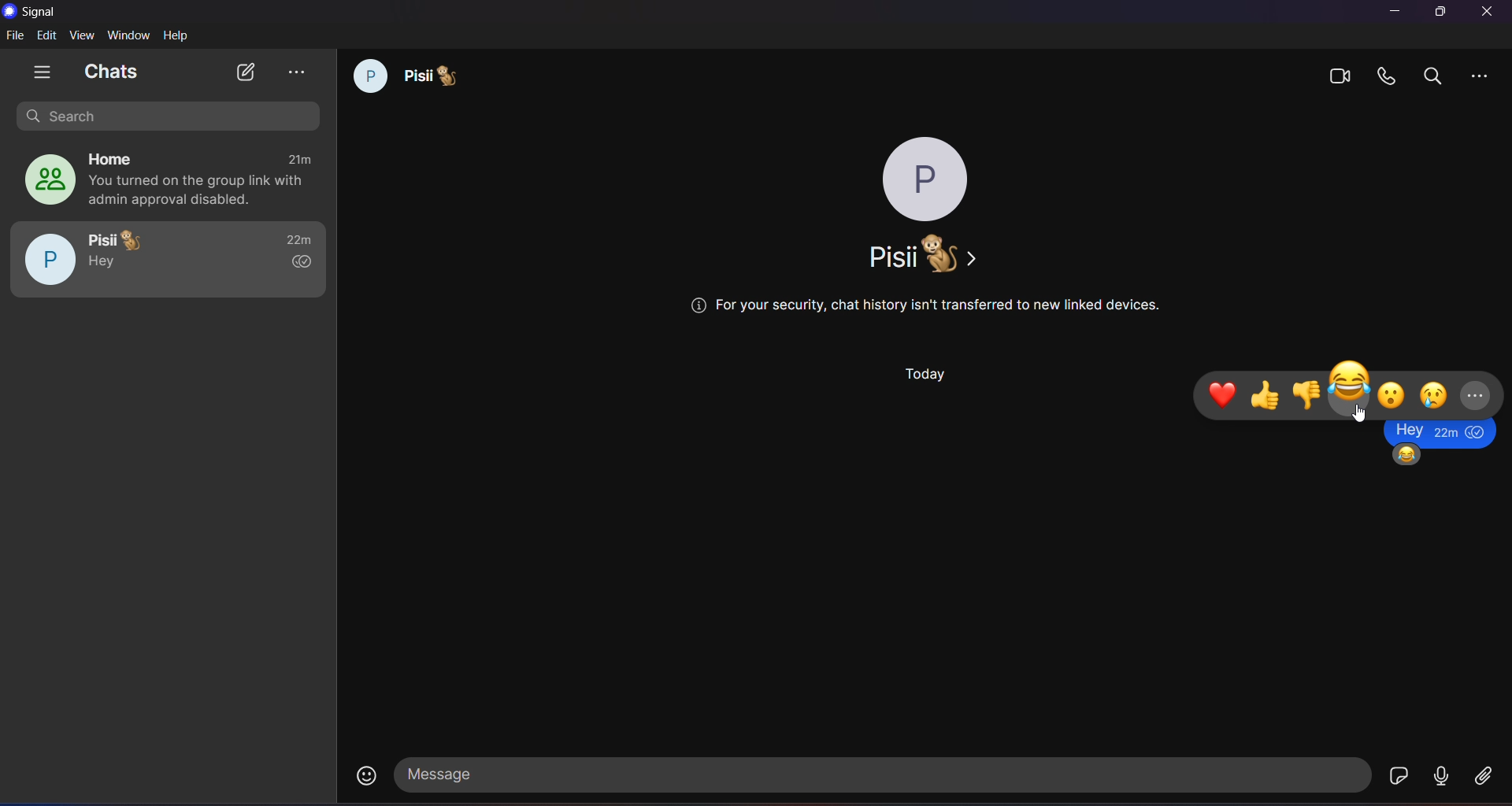 This screenshot has width=1512, height=806. I want to click on help, so click(177, 35).